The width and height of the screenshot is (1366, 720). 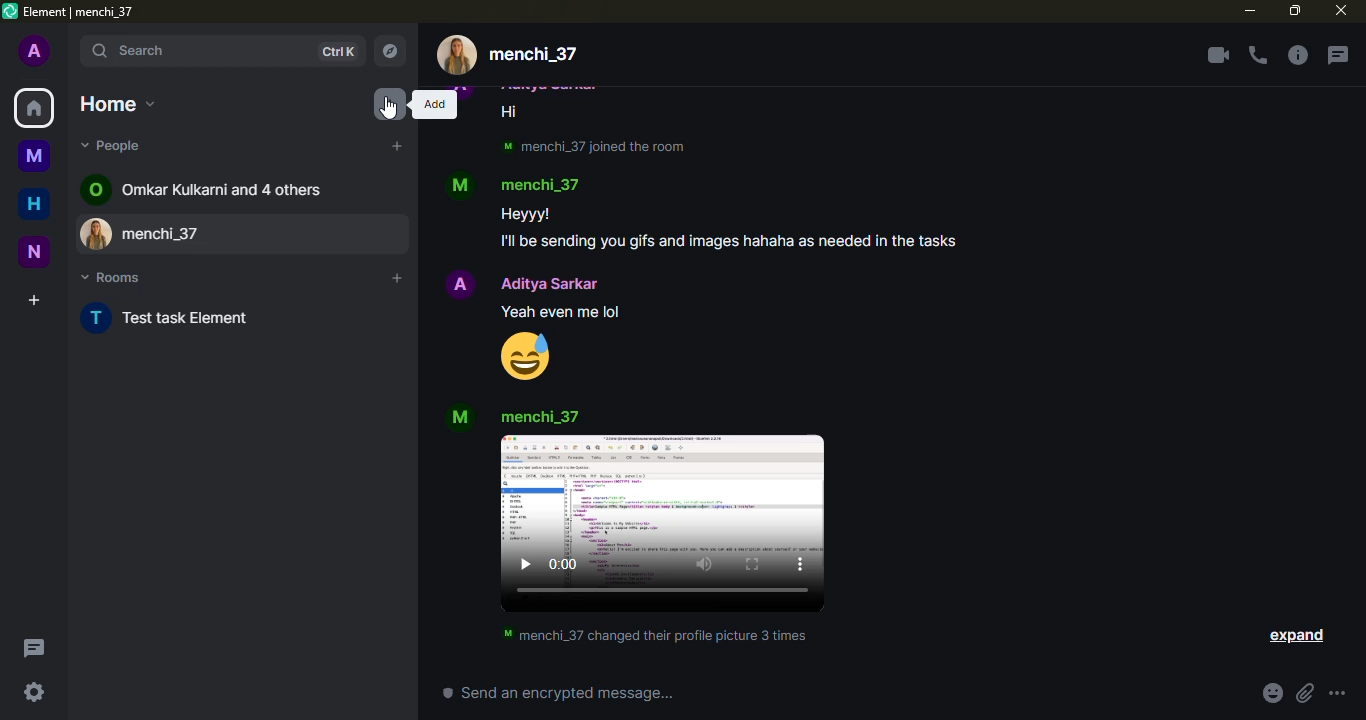 I want to click on Current profile picture, so click(x=457, y=55).